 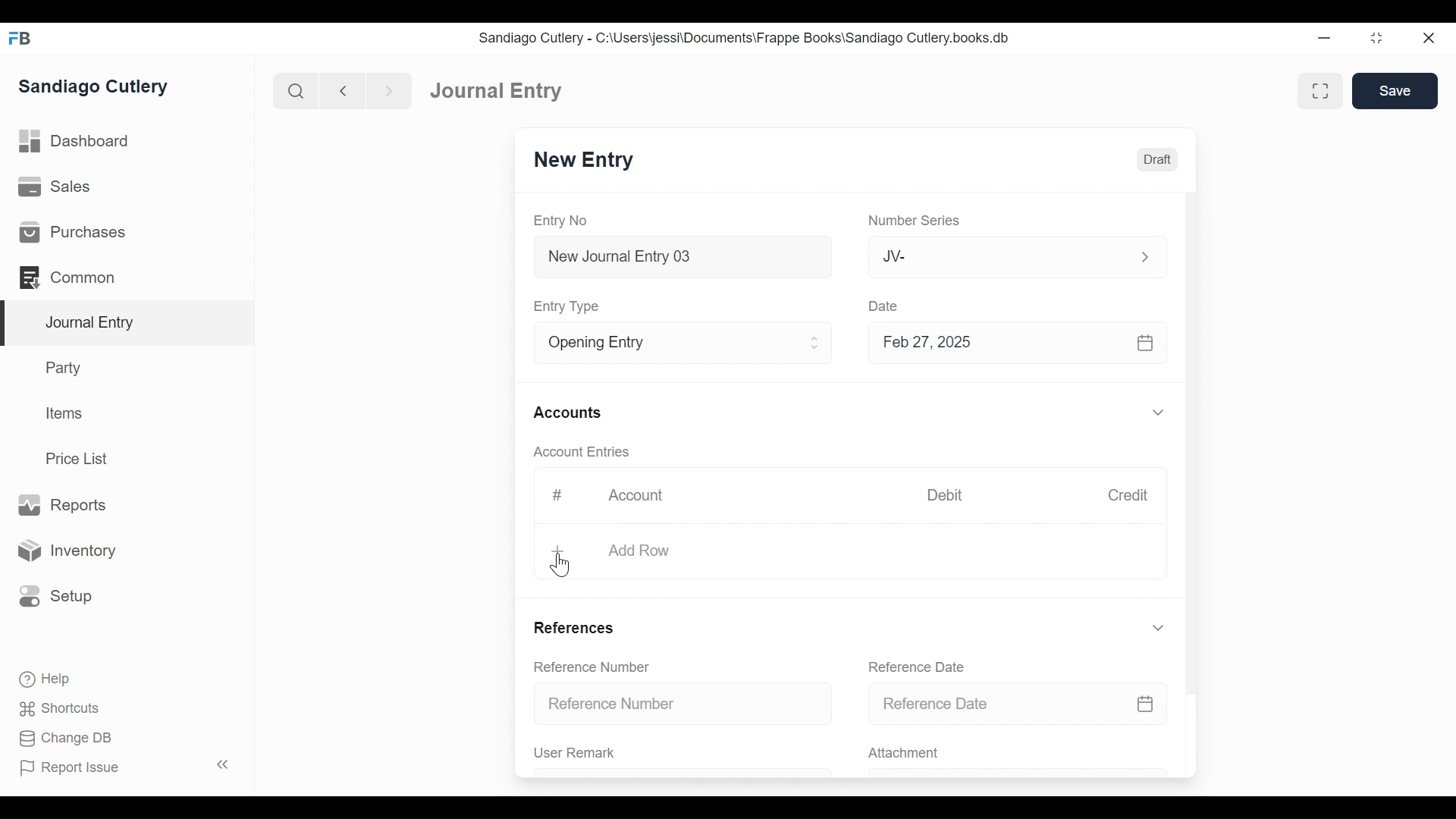 What do you see at coordinates (1326, 37) in the screenshot?
I see `Minimize` at bounding box center [1326, 37].